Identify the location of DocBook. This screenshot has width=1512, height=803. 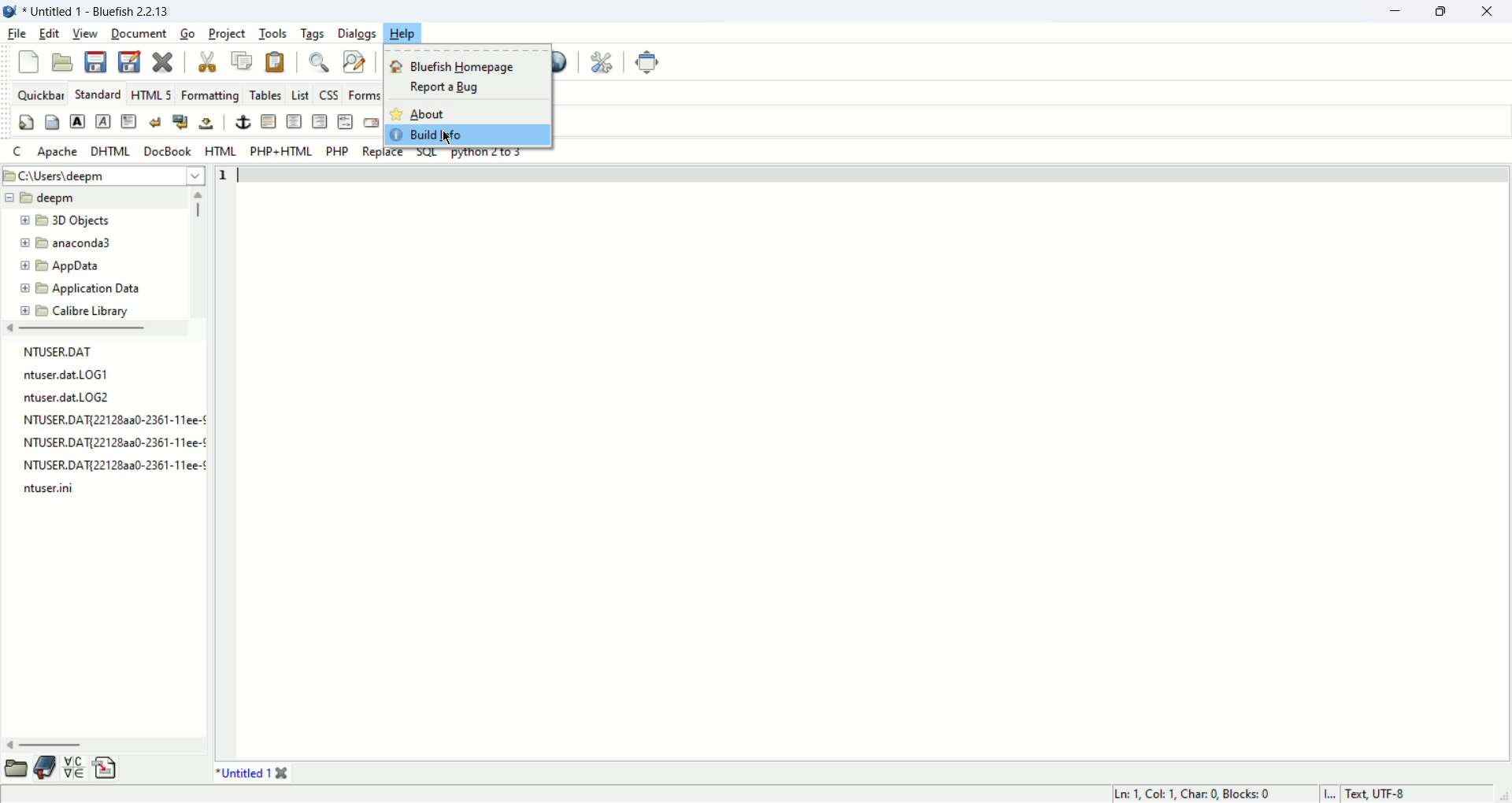
(166, 152).